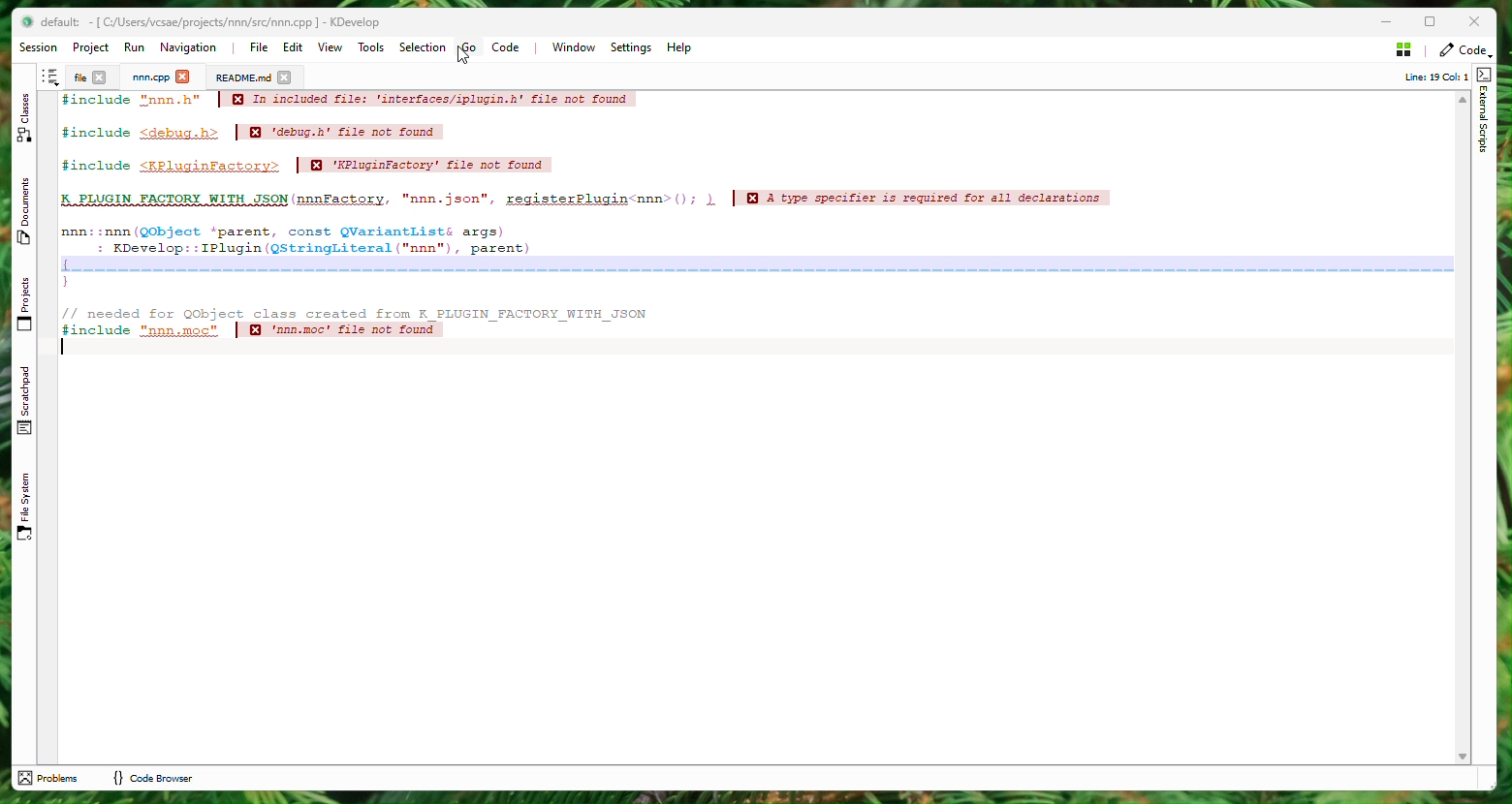 Image resolution: width=1512 pixels, height=804 pixels. Describe the element at coordinates (26, 120) in the screenshot. I see `Class` at that location.